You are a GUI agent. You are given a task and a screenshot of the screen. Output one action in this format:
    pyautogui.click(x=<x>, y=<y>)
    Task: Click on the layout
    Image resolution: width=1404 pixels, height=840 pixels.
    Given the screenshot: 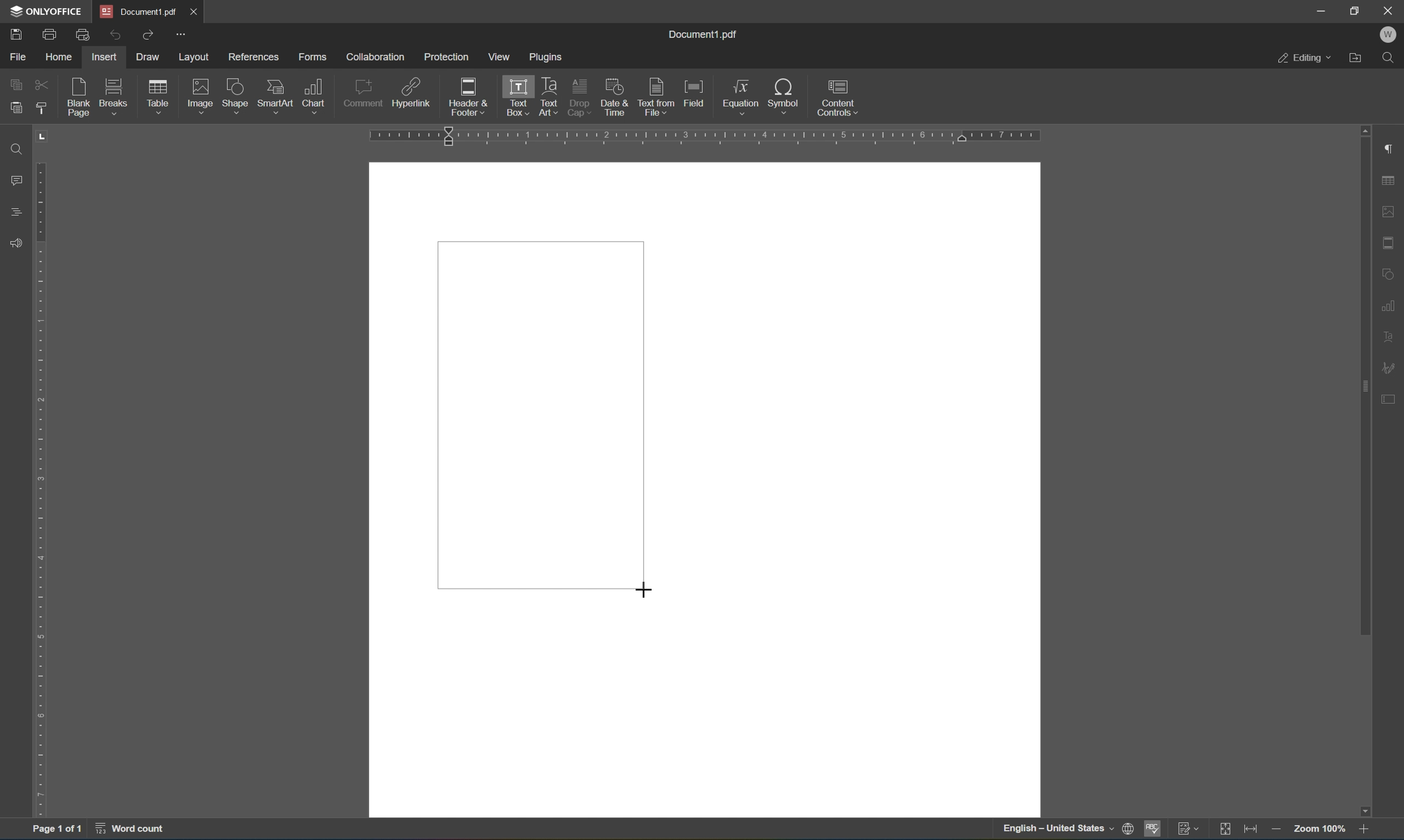 What is the action you would take?
    pyautogui.click(x=195, y=58)
    